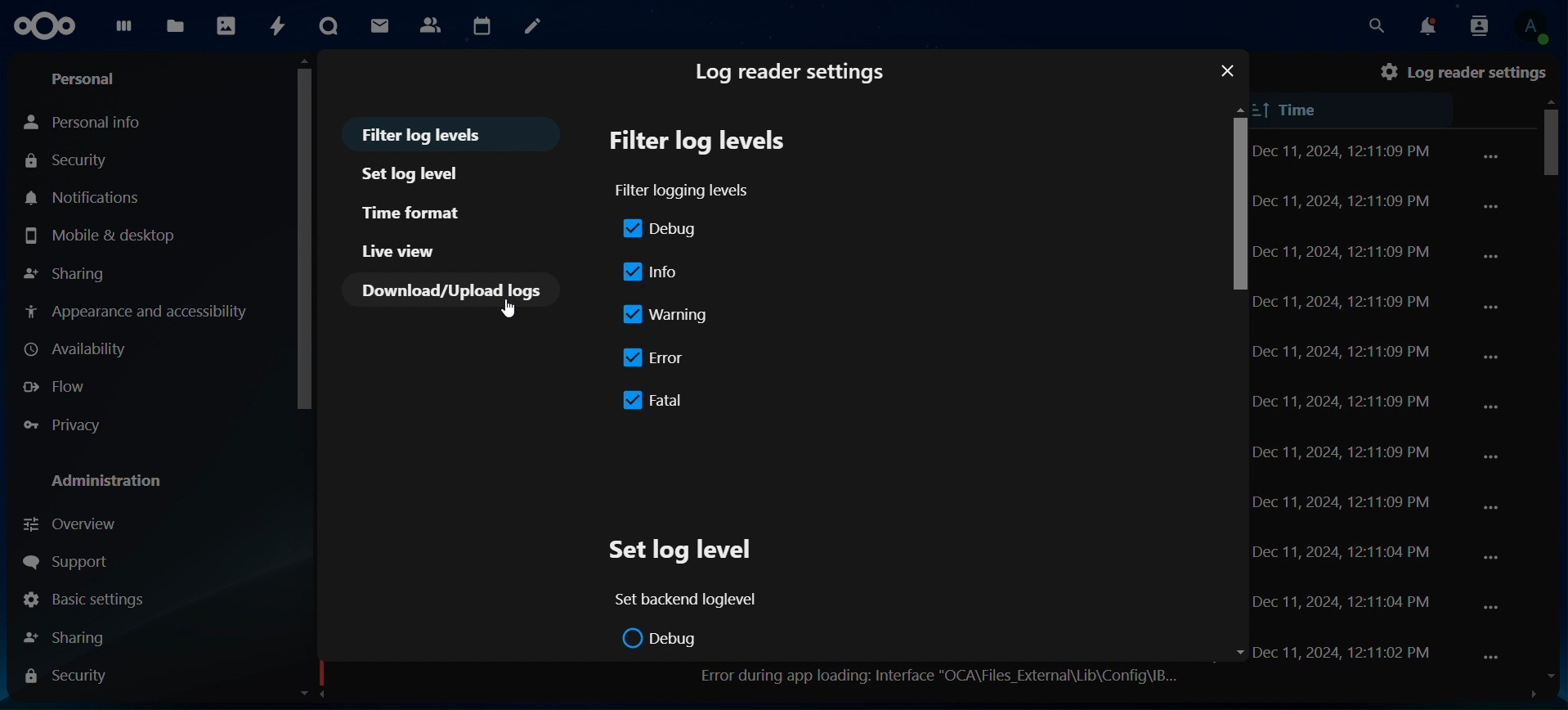  I want to click on set backend loglevel, so click(688, 597).